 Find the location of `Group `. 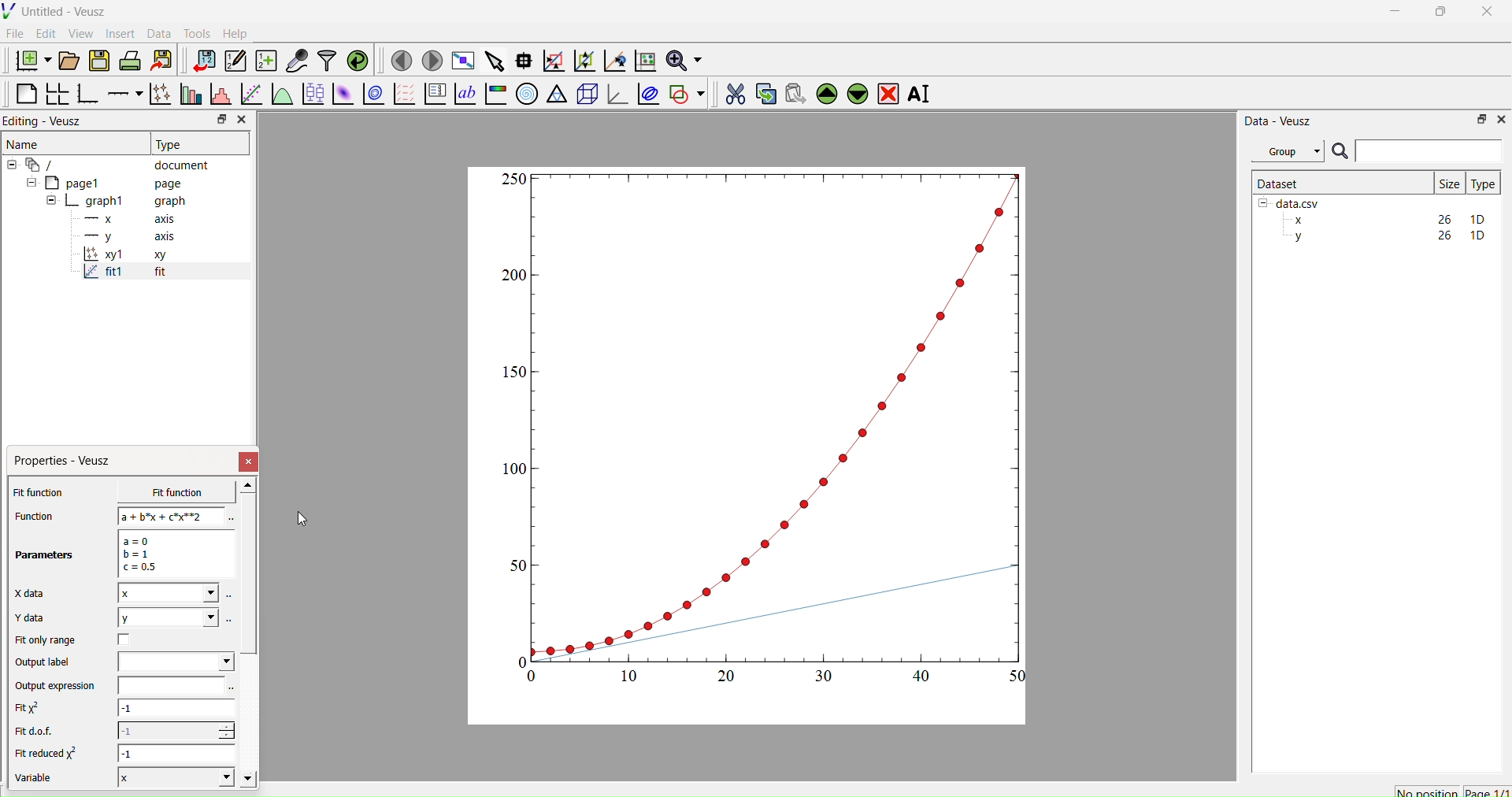

Group  is located at coordinates (1287, 151).